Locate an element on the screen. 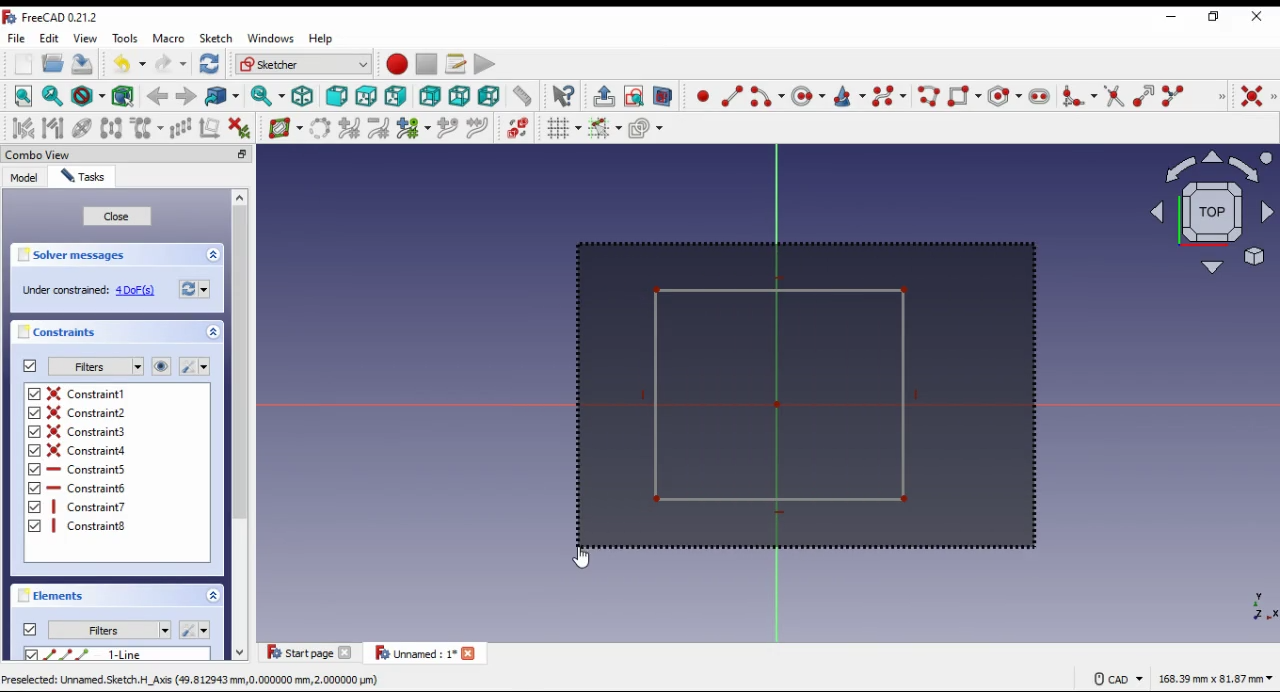 Image resolution: width=1280 pixels, height=692 pixels. leave sketch is located at coordinates (604, 97).